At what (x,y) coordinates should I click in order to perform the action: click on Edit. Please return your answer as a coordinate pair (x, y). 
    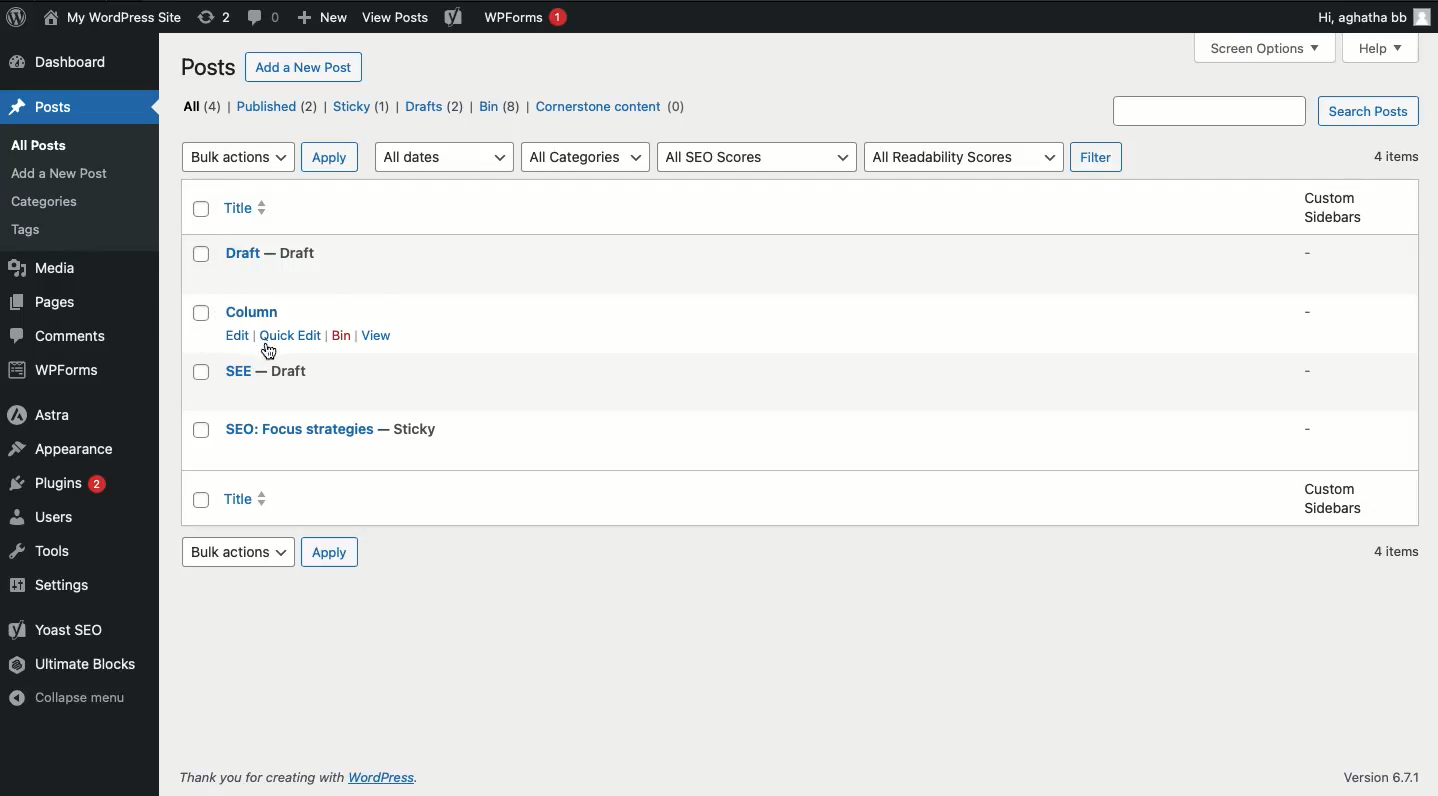
    Looking at the image, I should click on (236, 335).